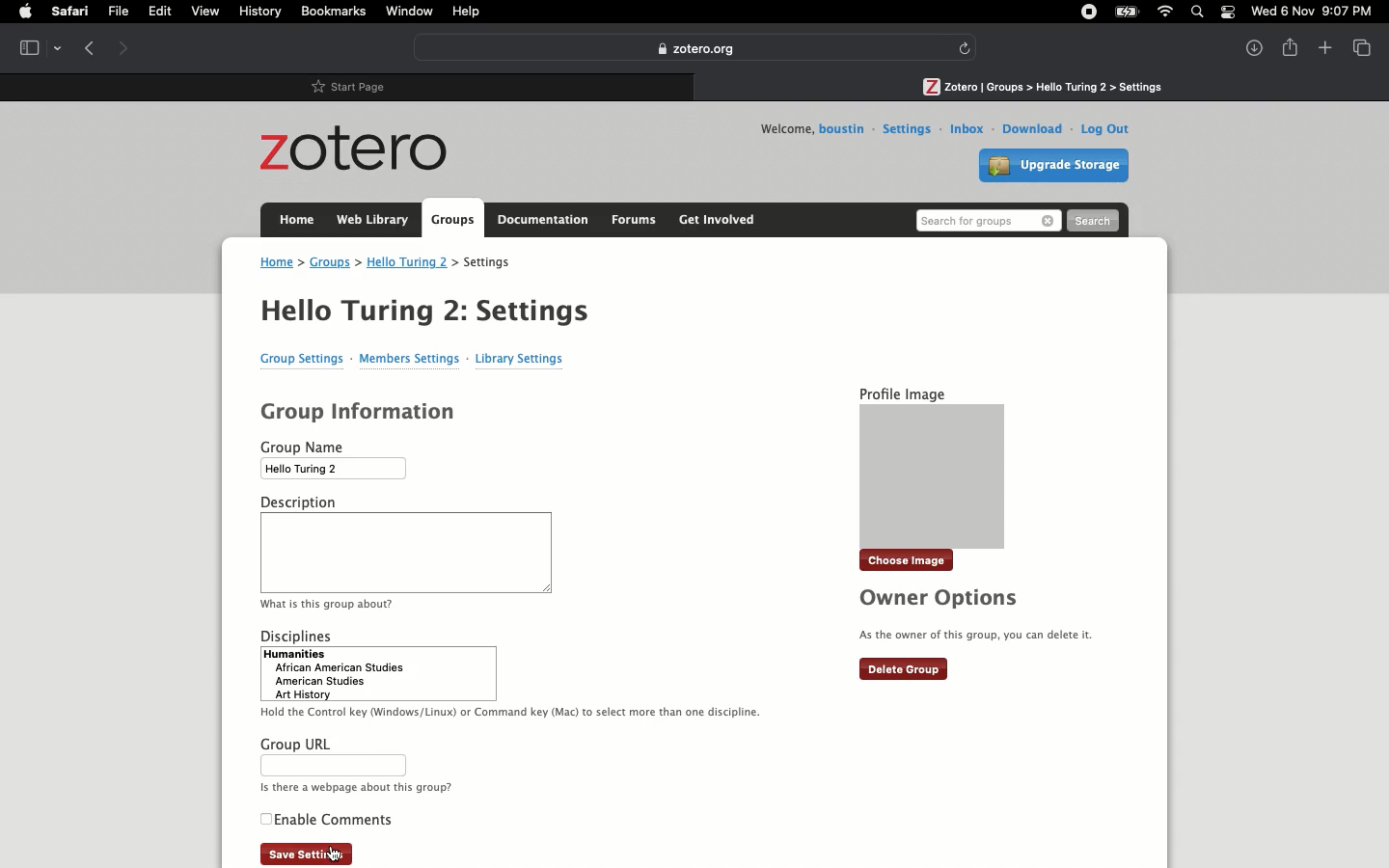 Image resolution: width=1389 pixels, height=868 pixels. What do you see at coordinates (515, 673) in the screenshot?
I see `Disciplines` at bounding box center [515, 673].